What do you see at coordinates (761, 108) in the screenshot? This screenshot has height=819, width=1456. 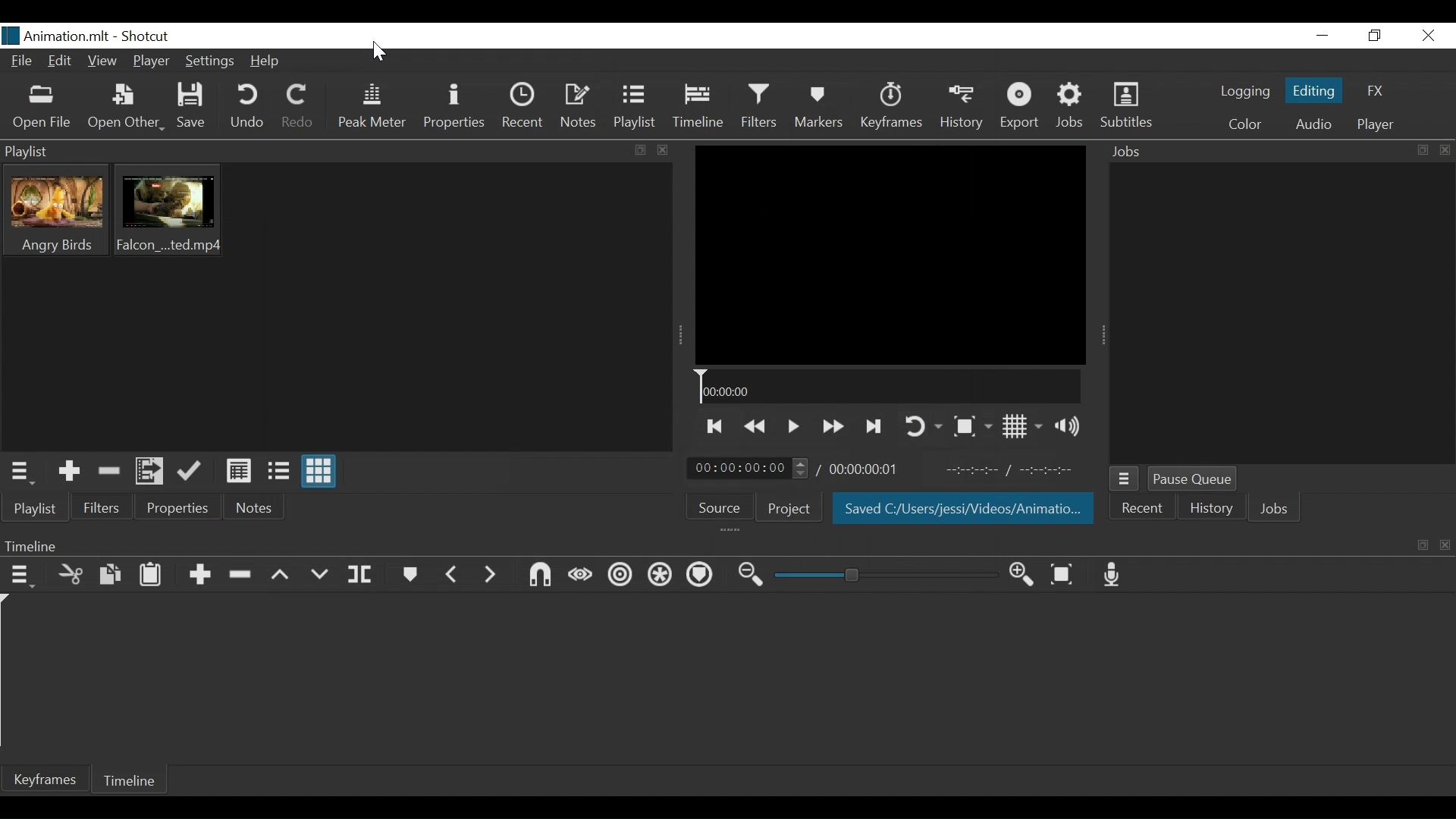 I see `Filters` at bounding box center [761, 108].